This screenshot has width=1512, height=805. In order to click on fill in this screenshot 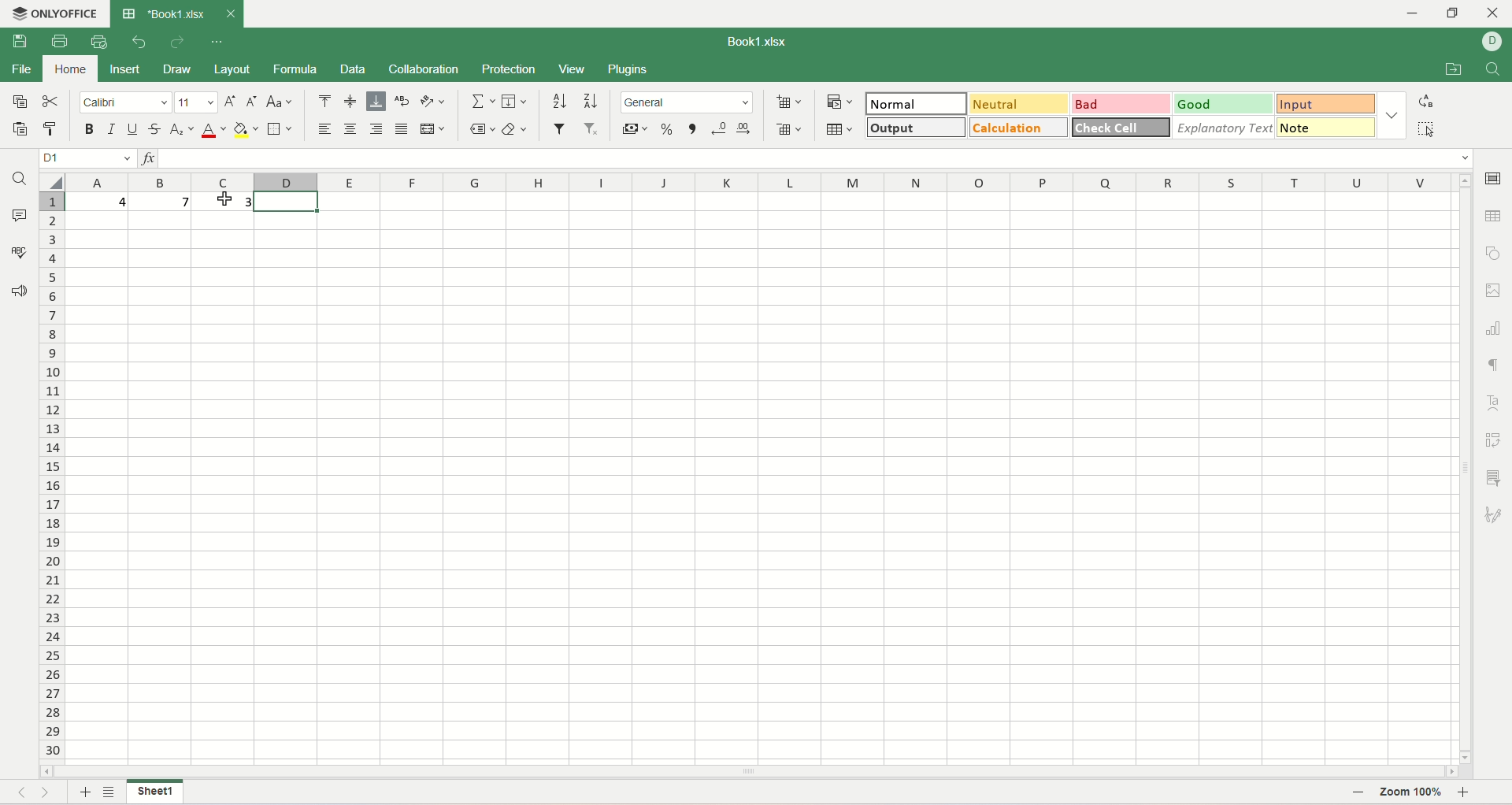, I will do `click(514, 102)`.